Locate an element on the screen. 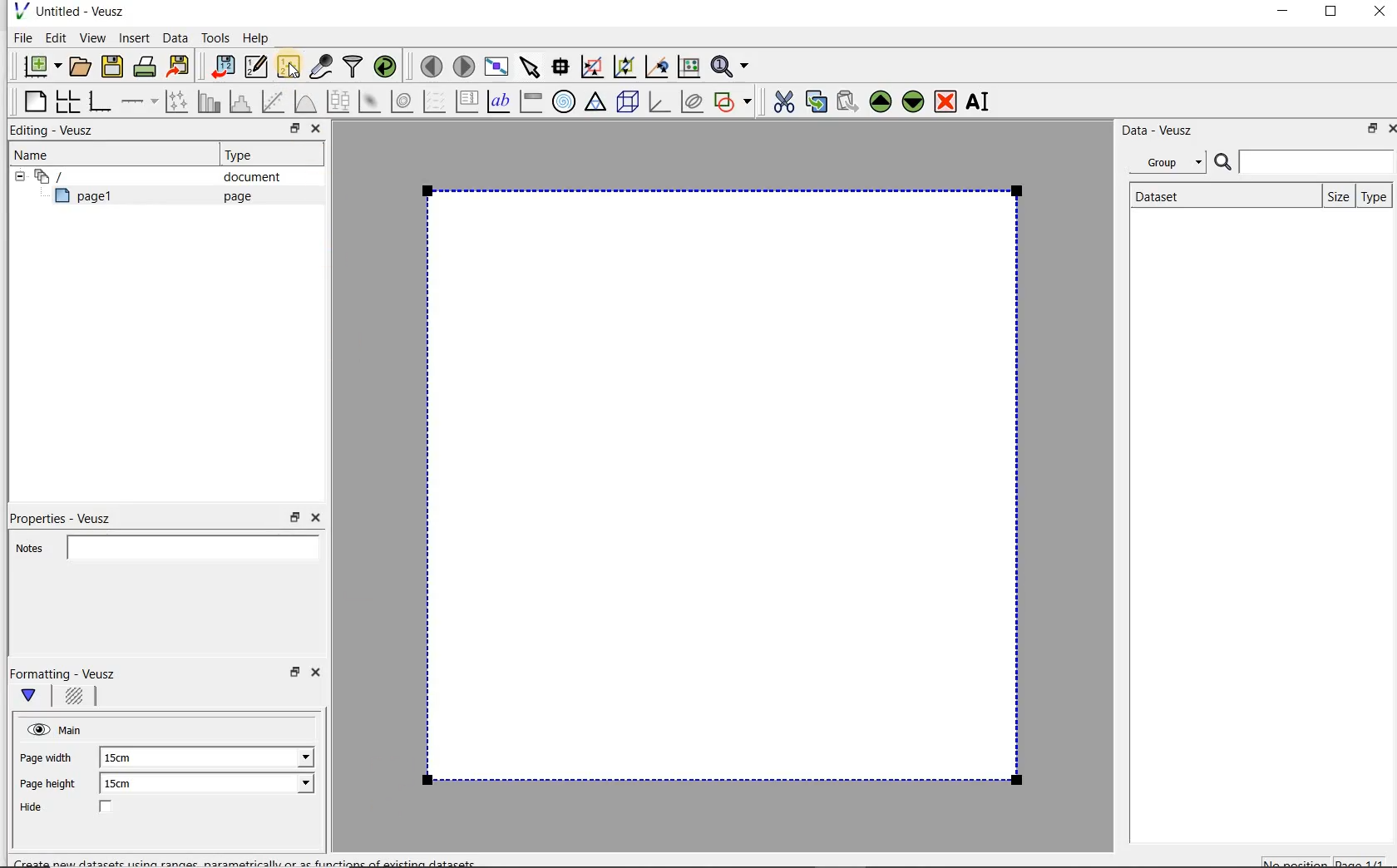 The height and width of the screenshot is (868, 1397). Background is located at coordinates (77, 698).